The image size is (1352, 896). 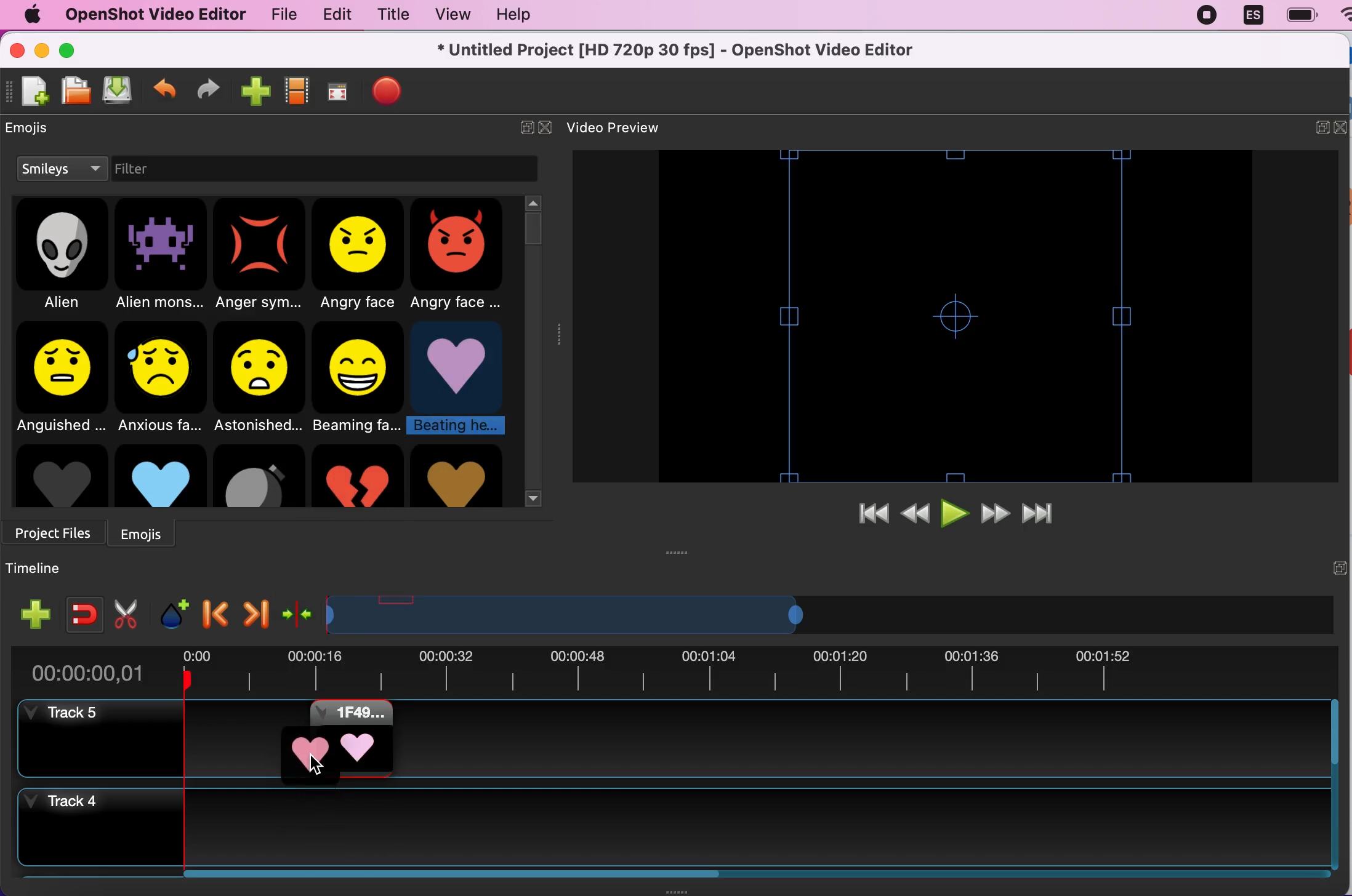 What do you see at coordinates (71, 49) in the screenshot?
I see `maximize` at bounding box center [71, 49].